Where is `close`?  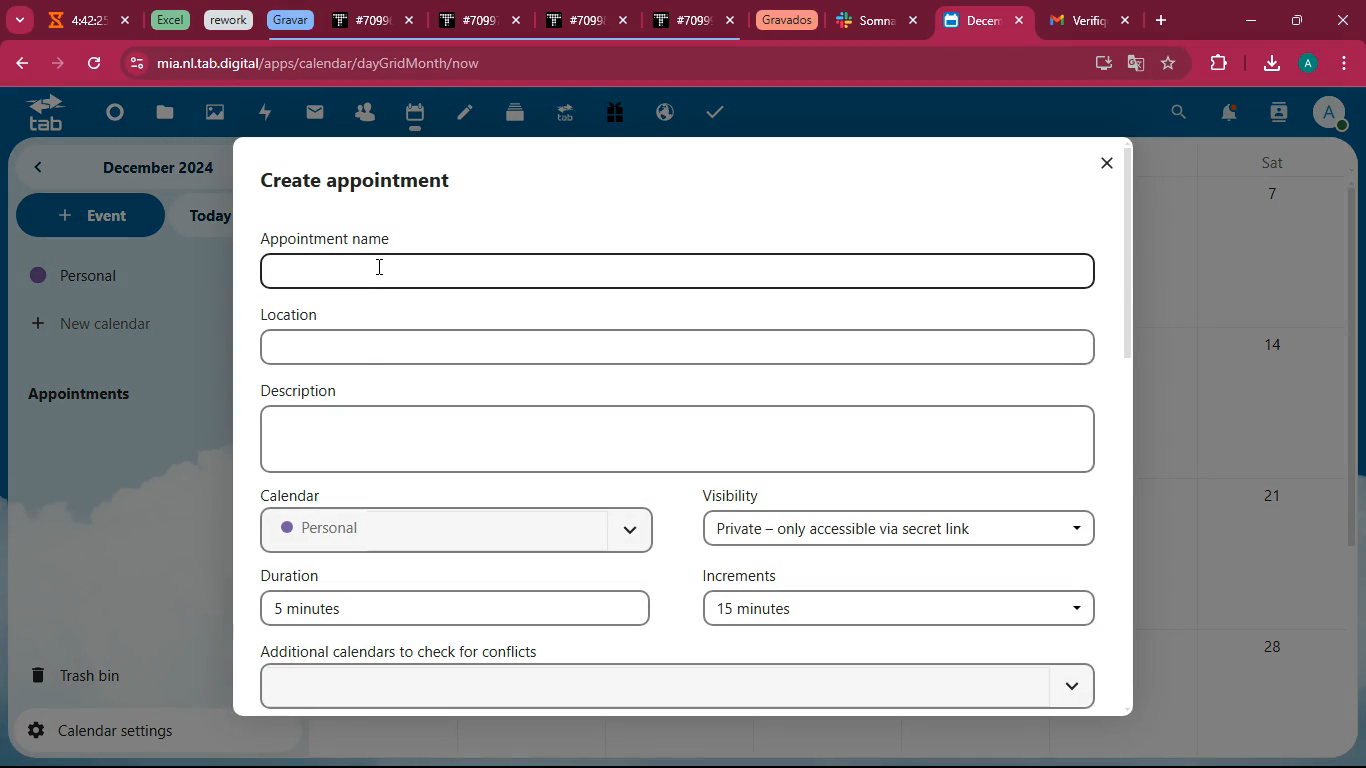
close is located at coordinates (731, 22).